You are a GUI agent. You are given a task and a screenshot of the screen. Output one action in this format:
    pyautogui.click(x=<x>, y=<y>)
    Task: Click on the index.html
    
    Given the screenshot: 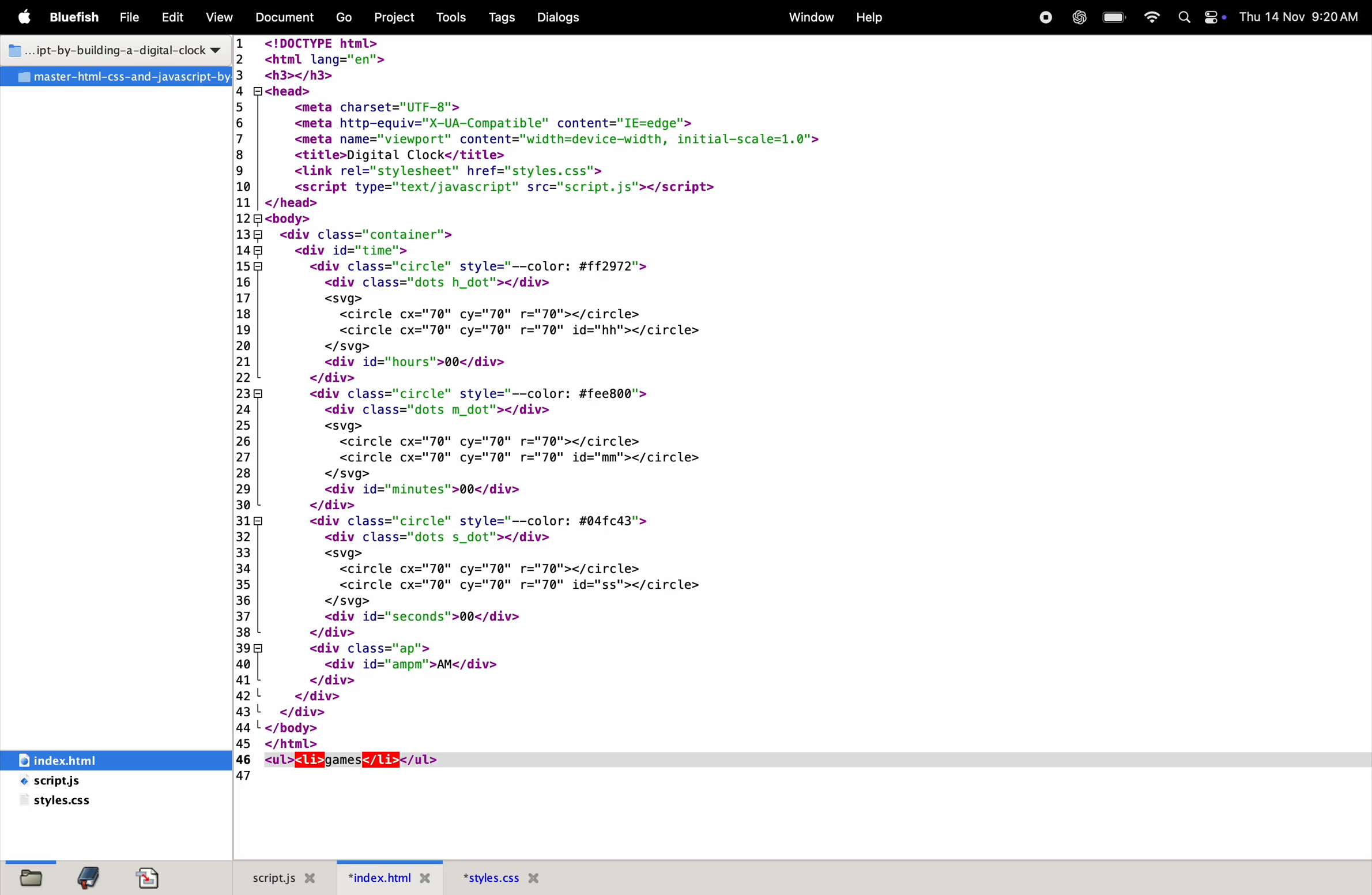 What is the action you would take?
    pyautogui.click(x=392, y=877)
    